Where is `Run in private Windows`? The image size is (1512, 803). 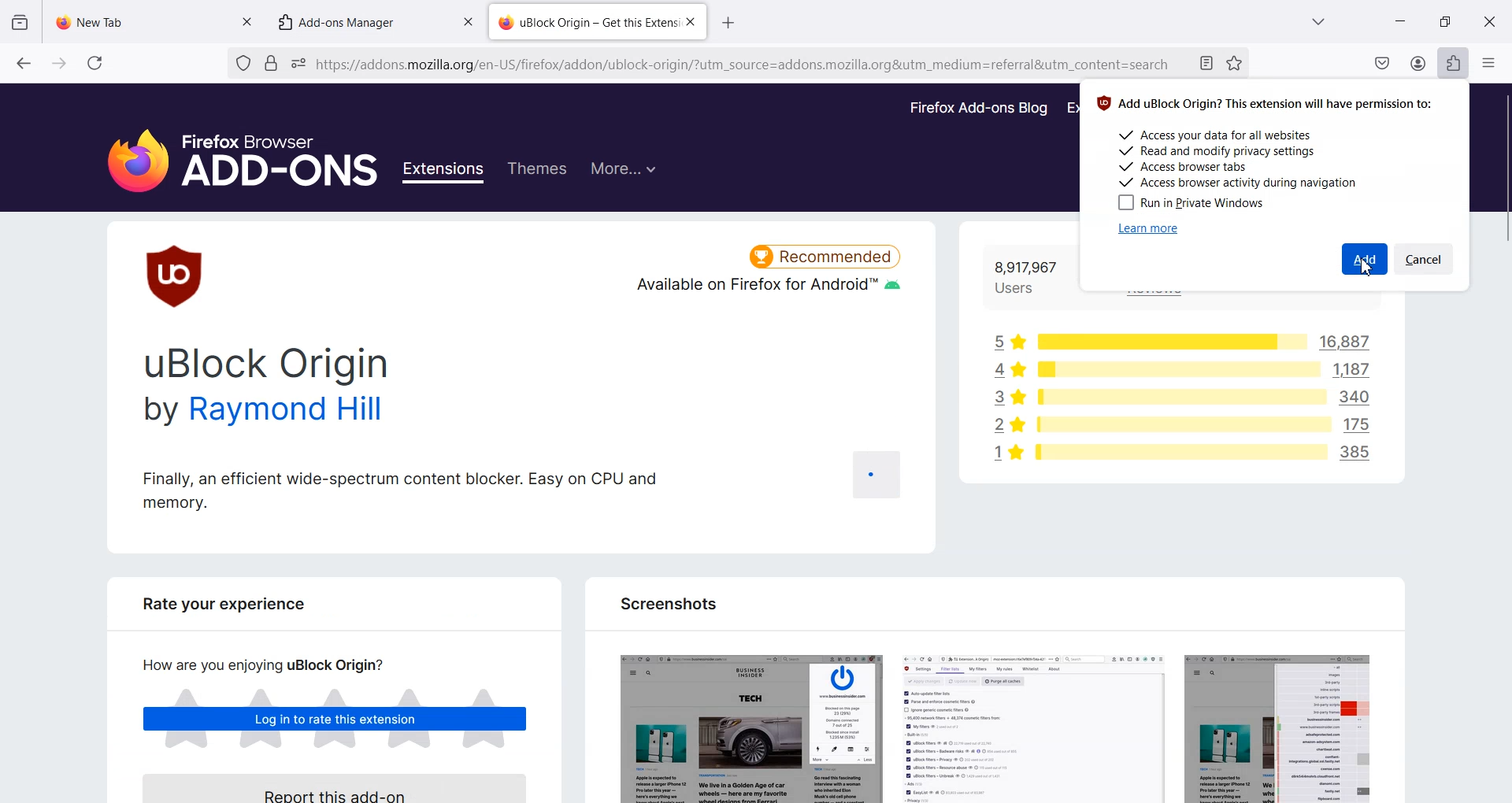
Run in private Windows is located at coordinates (1189, 202).